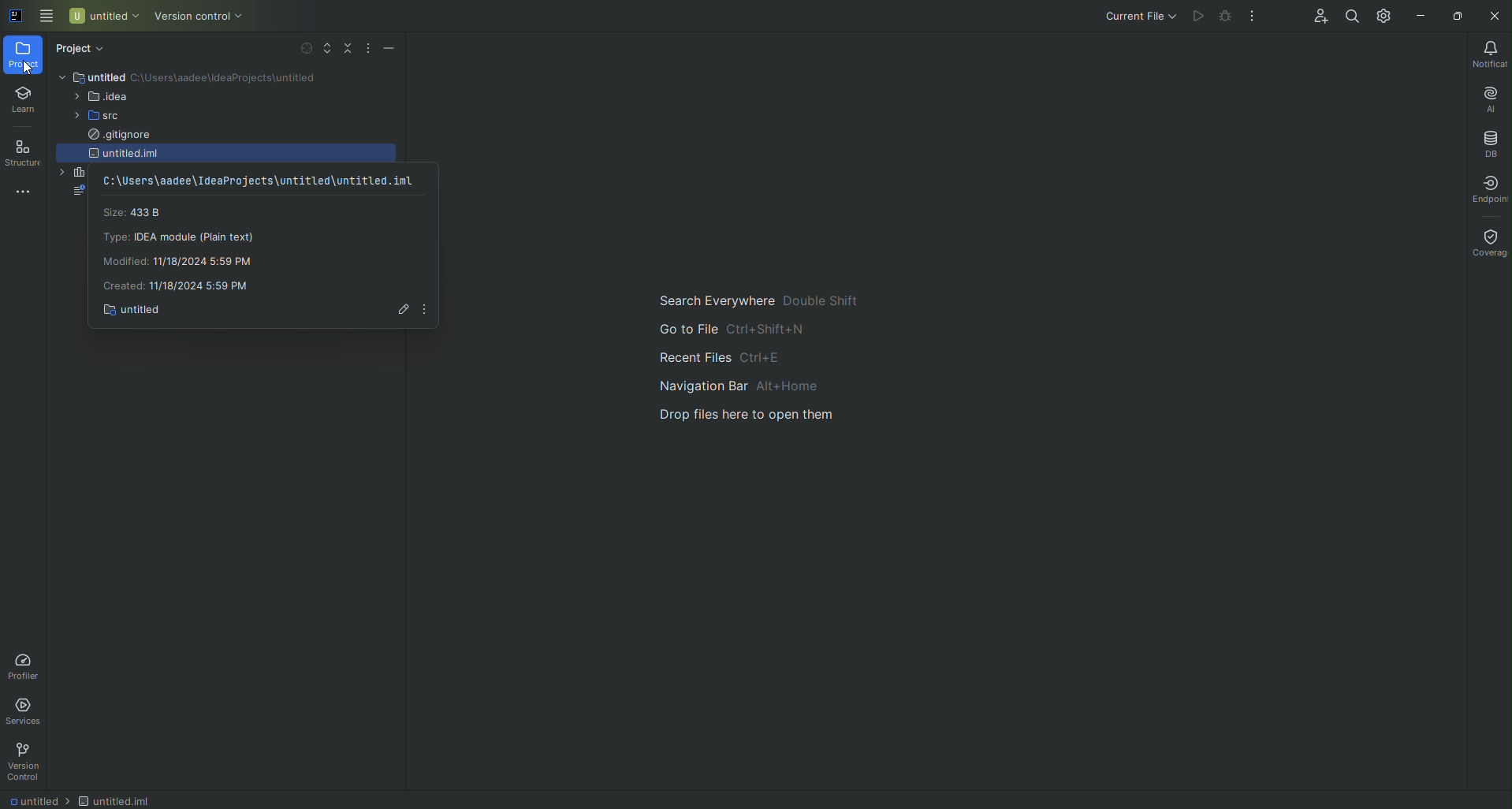 The image size is (1512, 809). Describe the element at coordinates (430, 311) in the screenshot. I see `More Options` at that location.